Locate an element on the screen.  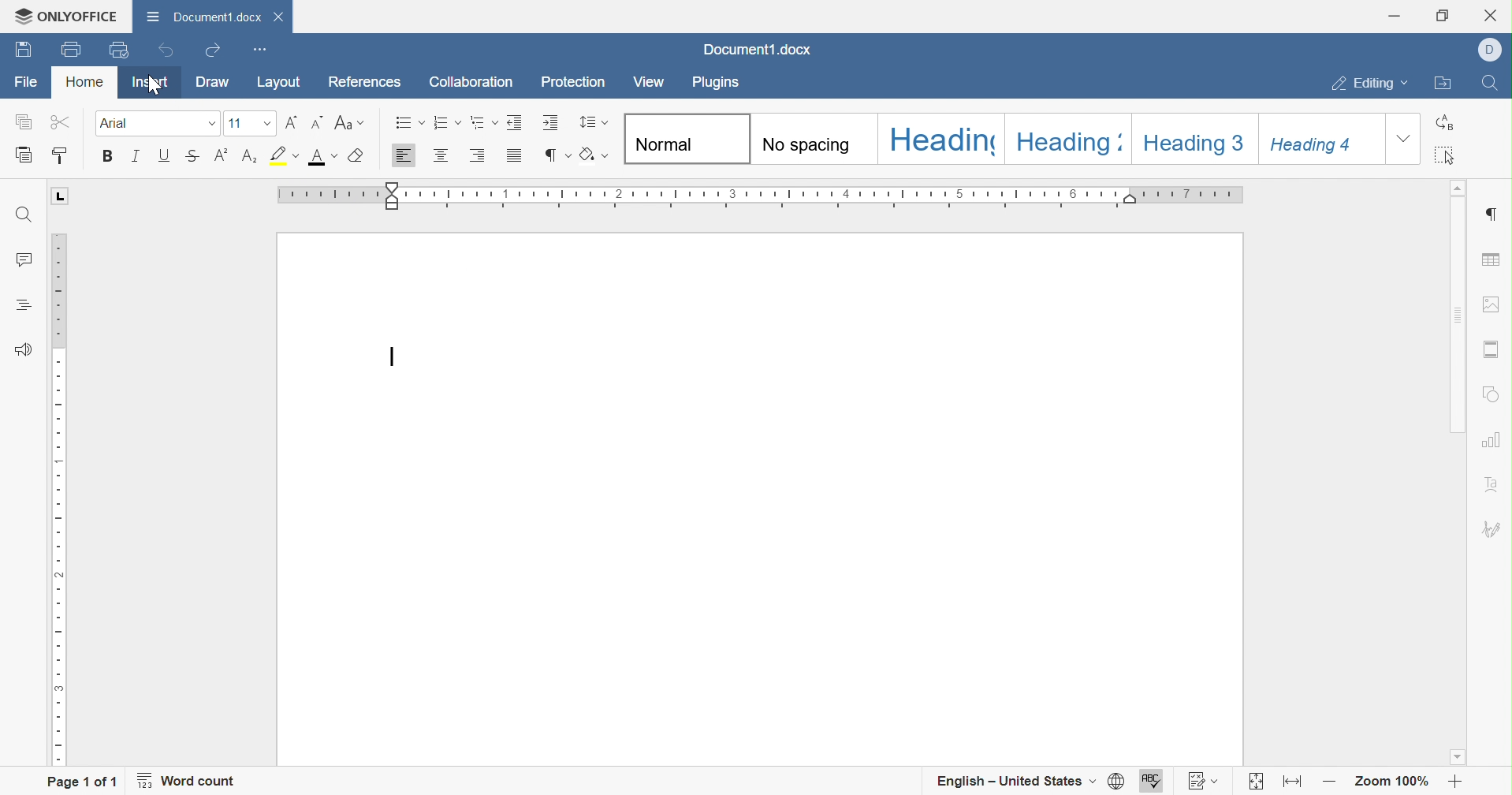
Scroll up is located at coordinates (1456, 188).